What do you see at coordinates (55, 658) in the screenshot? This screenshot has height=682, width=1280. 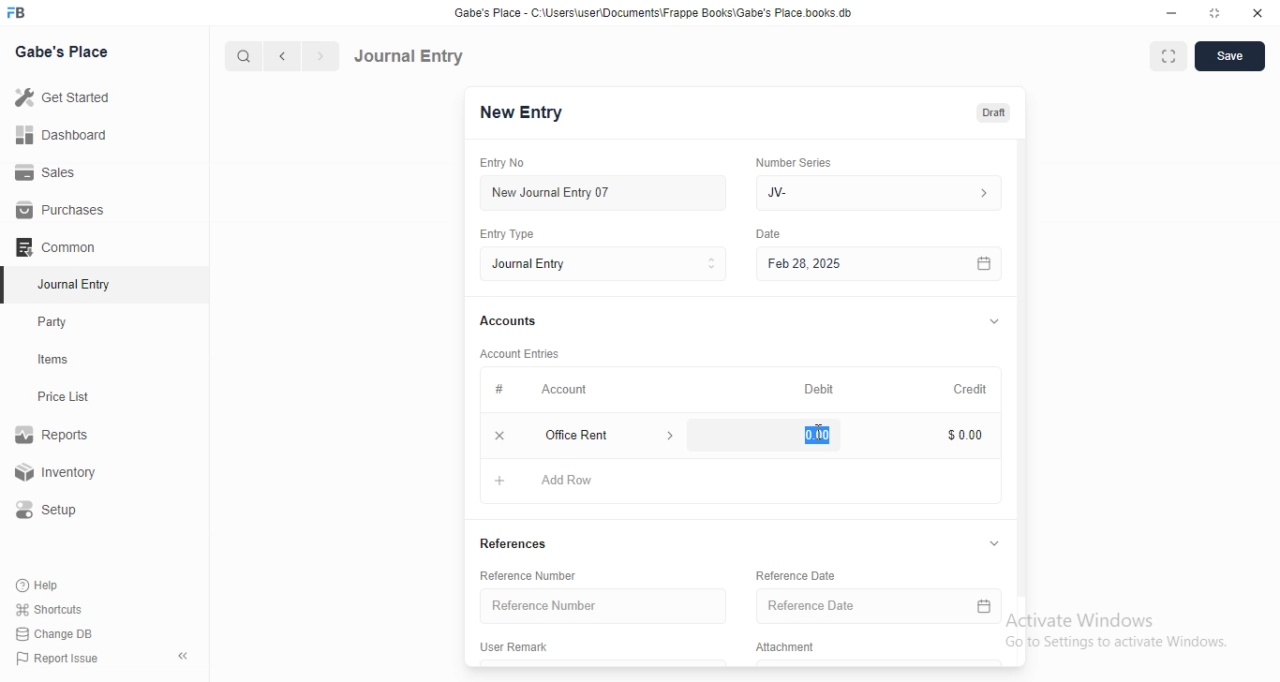 I see `‘Report Issue` at bounding box center [55, 658].